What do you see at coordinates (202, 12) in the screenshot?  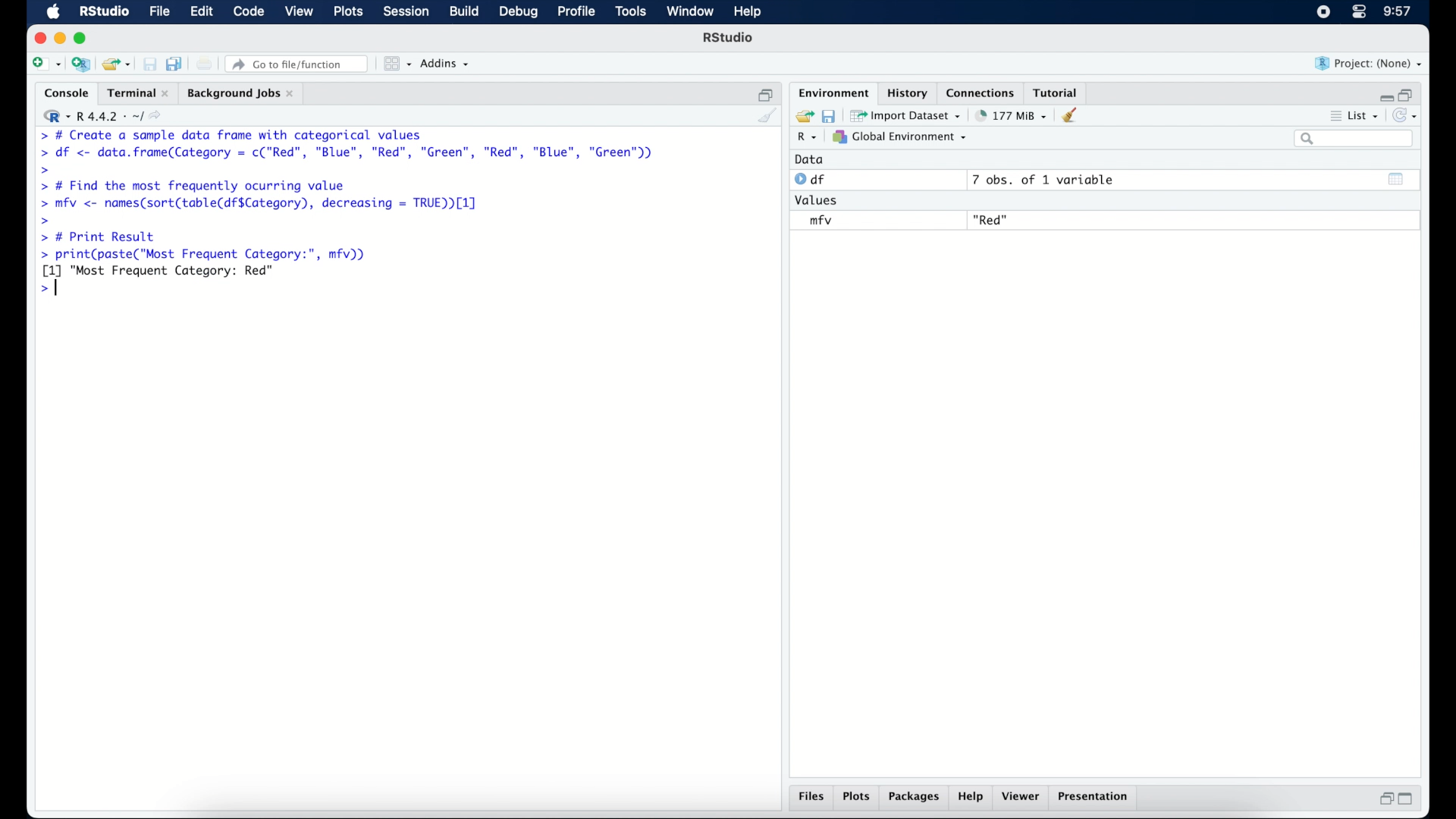 I see `edit` at bounding box center [202, 12].